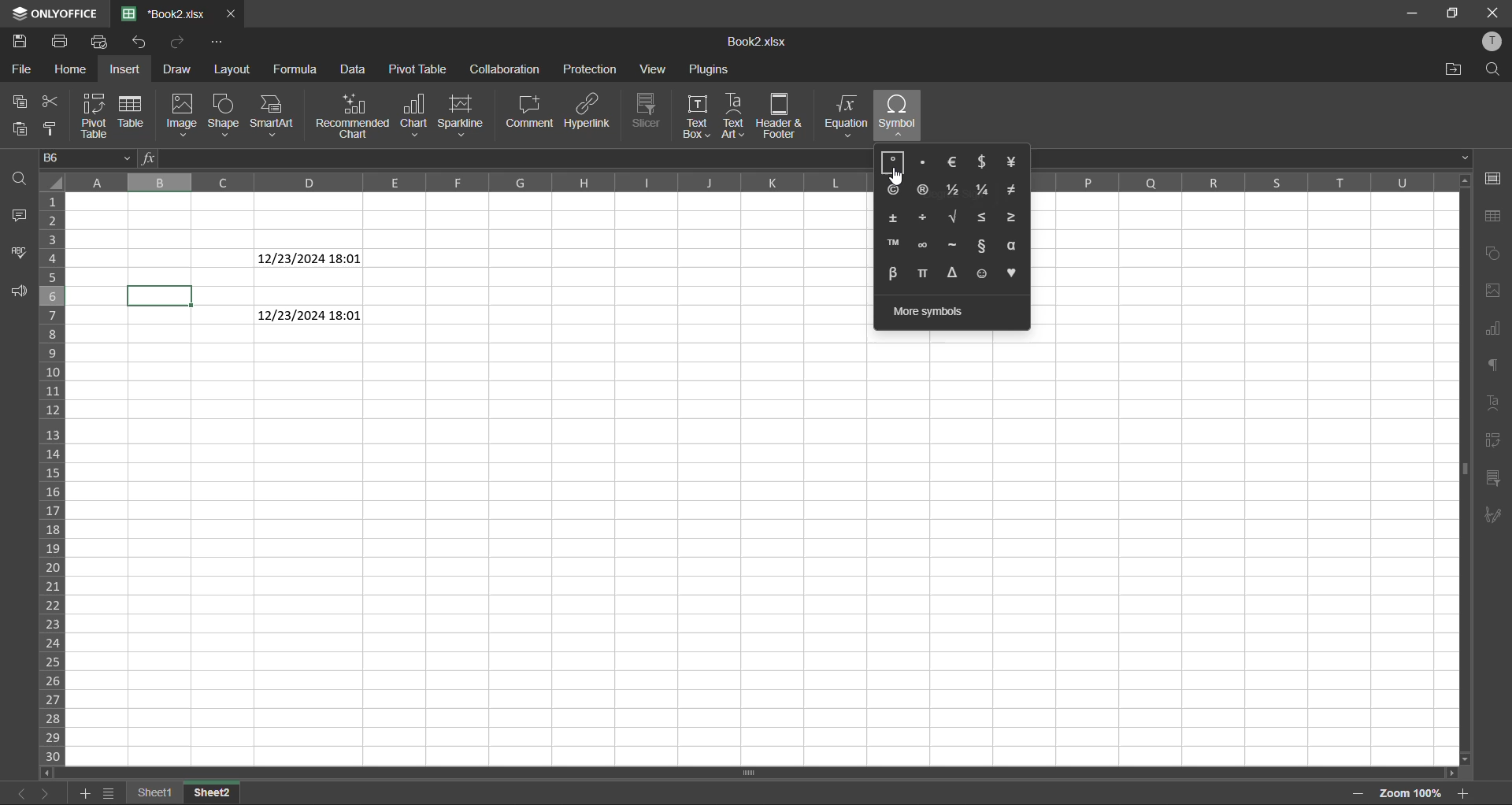 This screenshot has height=805, width=1512. Describe the element at coordinates (416, 116) in the screenshot. I see `chart` at that location.